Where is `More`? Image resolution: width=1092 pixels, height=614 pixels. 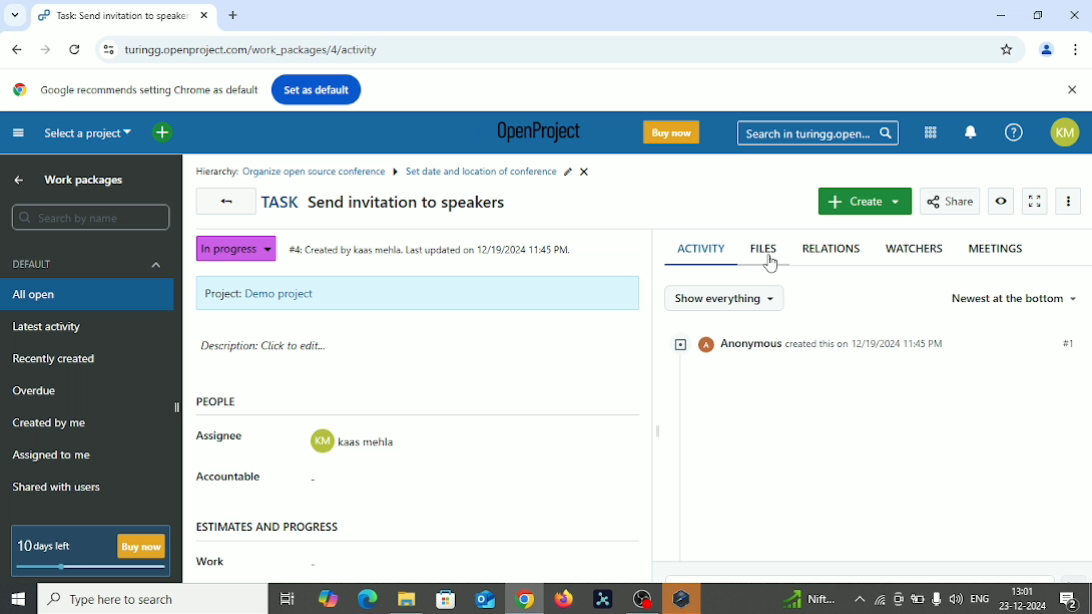
More is located at coordinates (1072, 202).